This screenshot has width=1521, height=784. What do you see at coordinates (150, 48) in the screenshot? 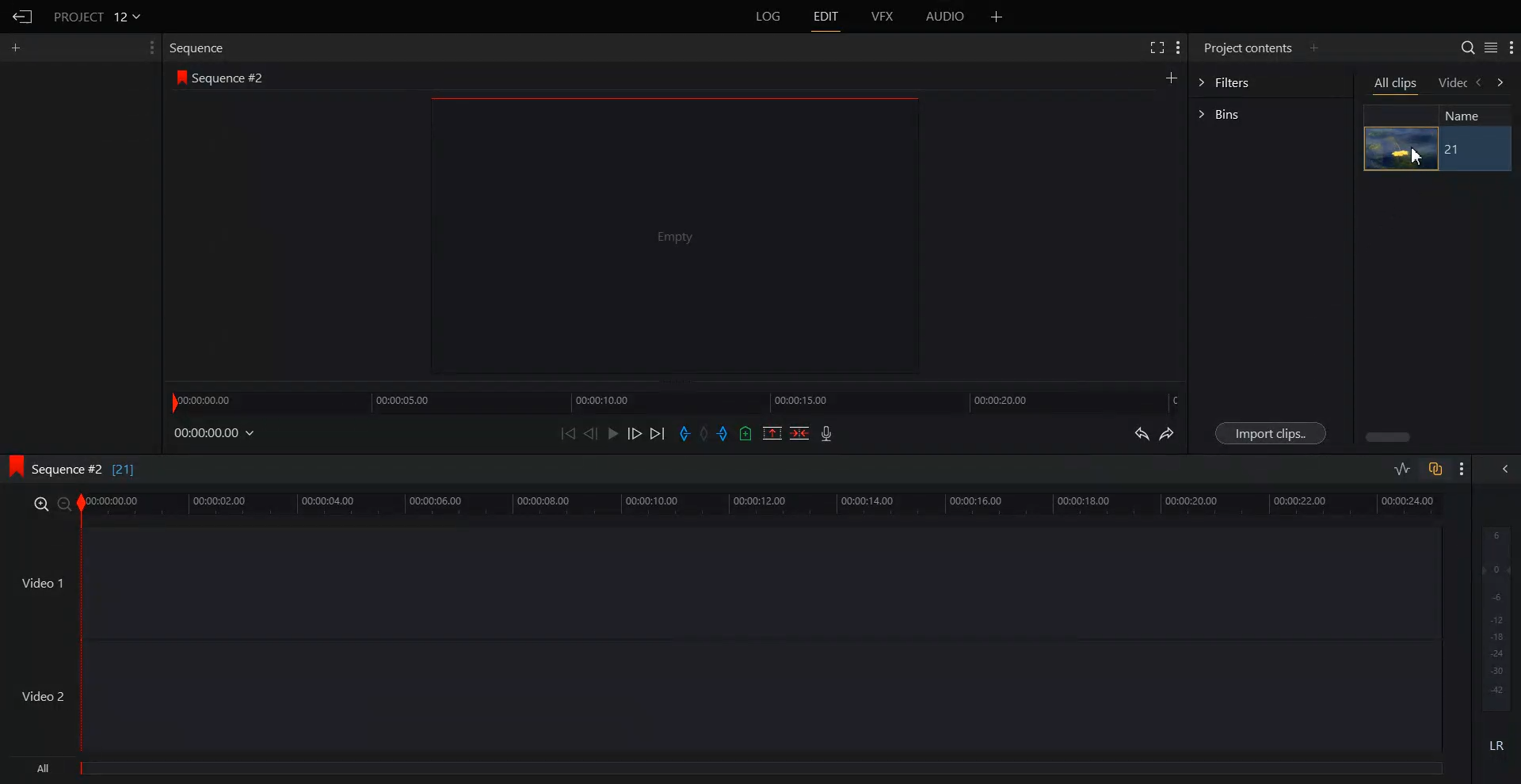
I see `Show Setting Menu` at bounding box center [150, 48].